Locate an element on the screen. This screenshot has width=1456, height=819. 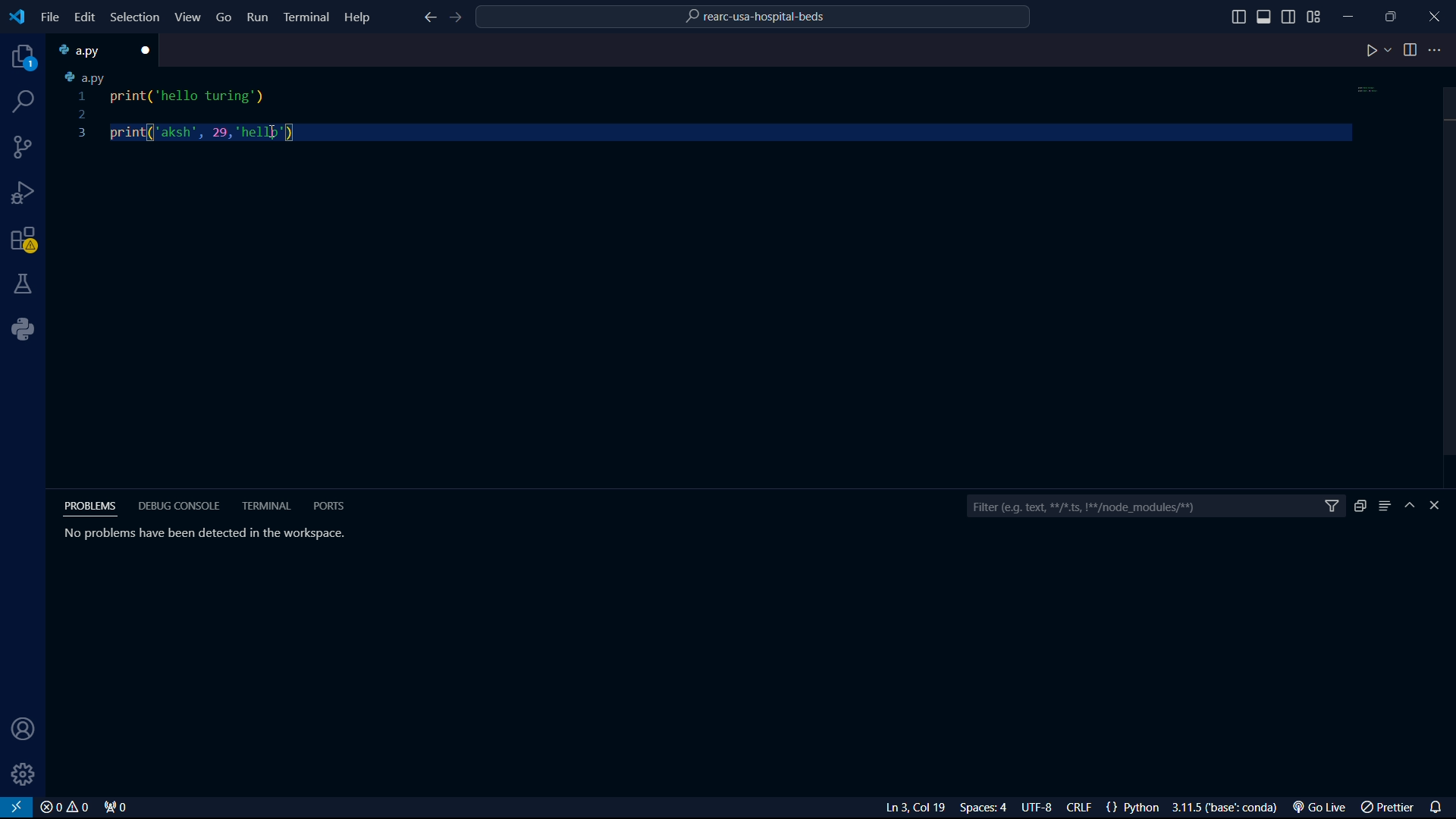
toggle sidebar is located at coordinates (1266, 17).